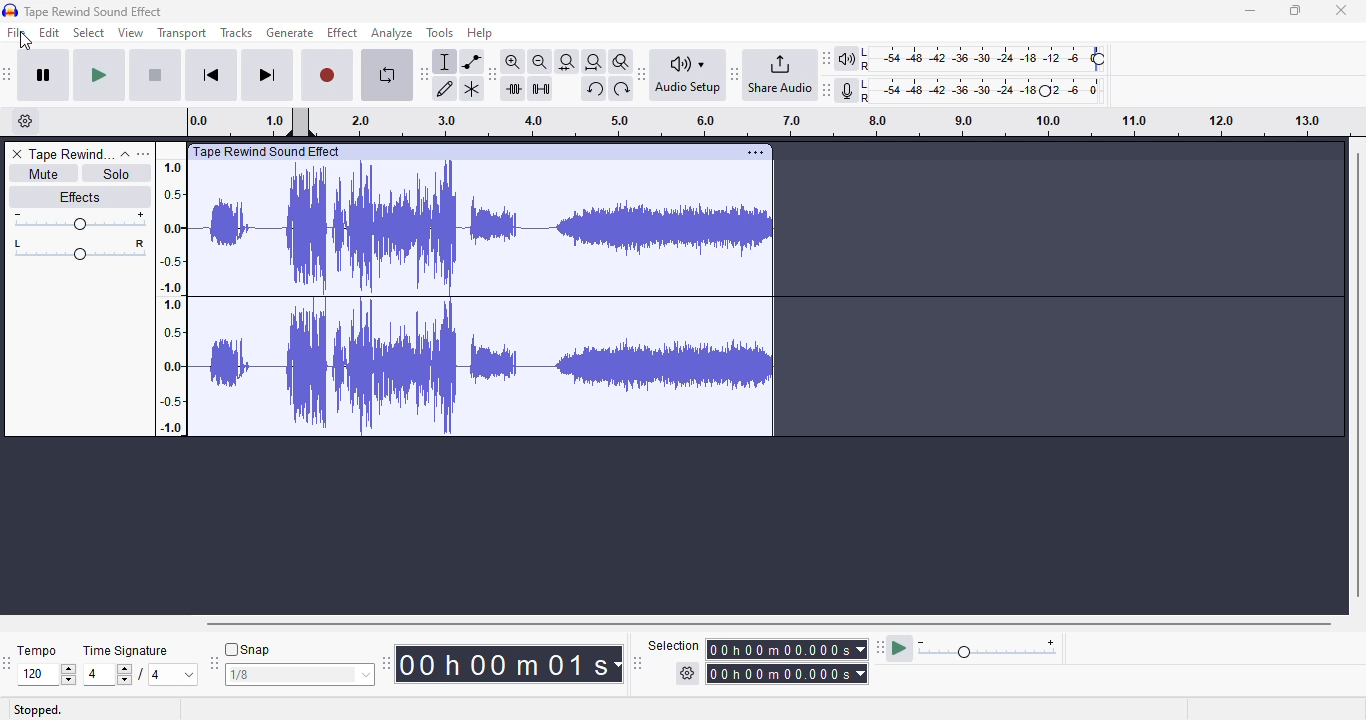 The image size is (1366, 720). Describe the element at coordinates (622, 88) in the screenshot. I see `redo` at that location.